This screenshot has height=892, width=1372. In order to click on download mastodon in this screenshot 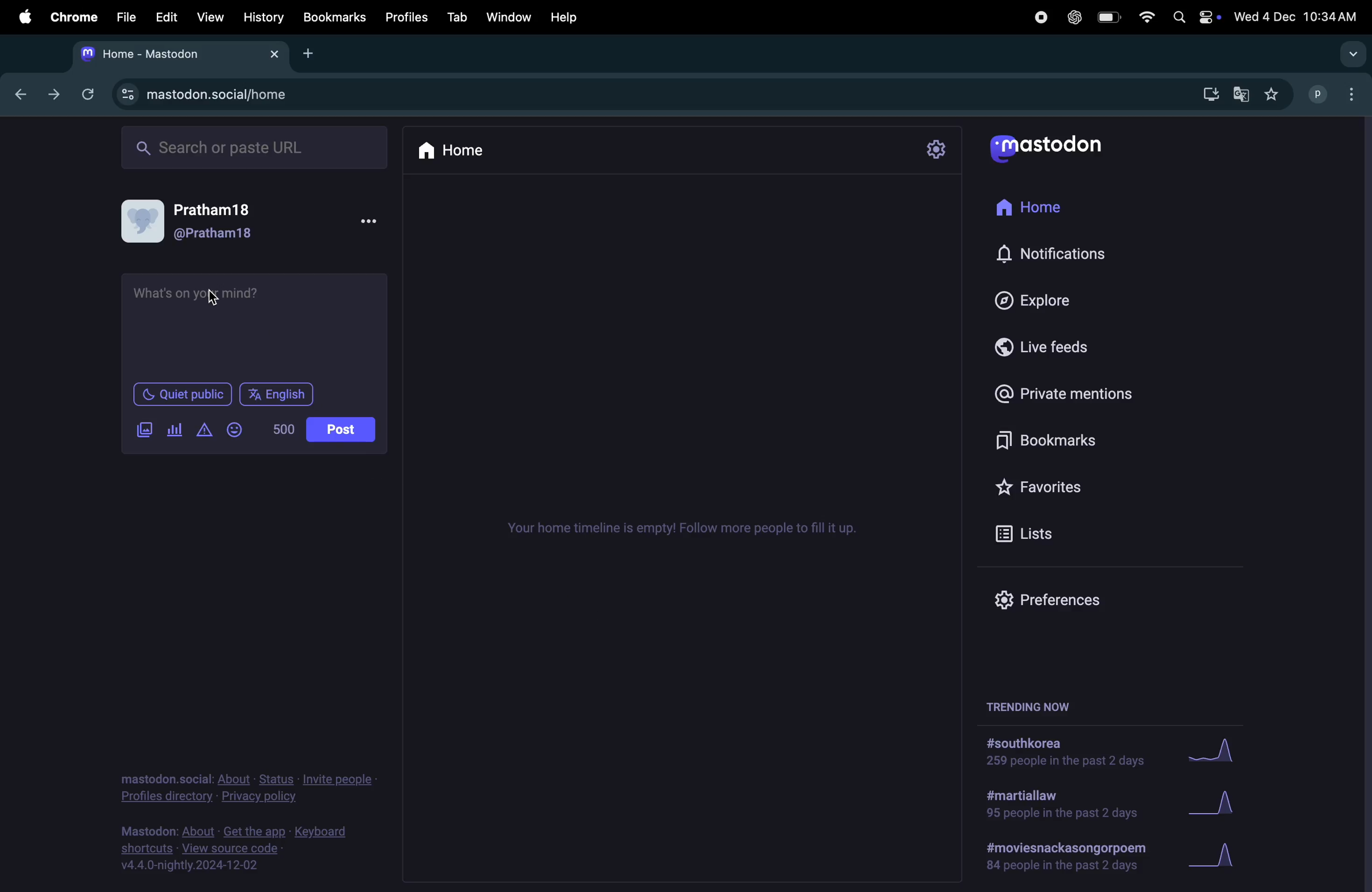, I will do `click(1206, 95)`.